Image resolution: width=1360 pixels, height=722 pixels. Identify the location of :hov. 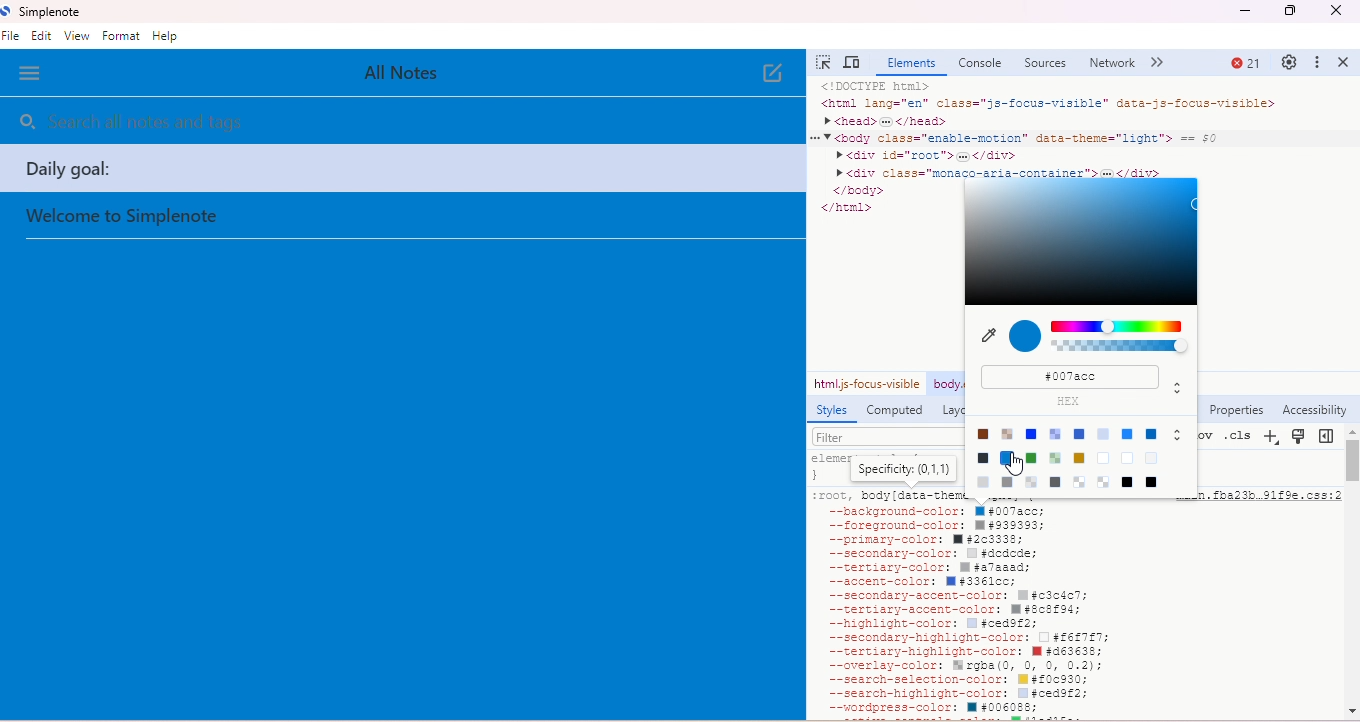
(1200, 434).